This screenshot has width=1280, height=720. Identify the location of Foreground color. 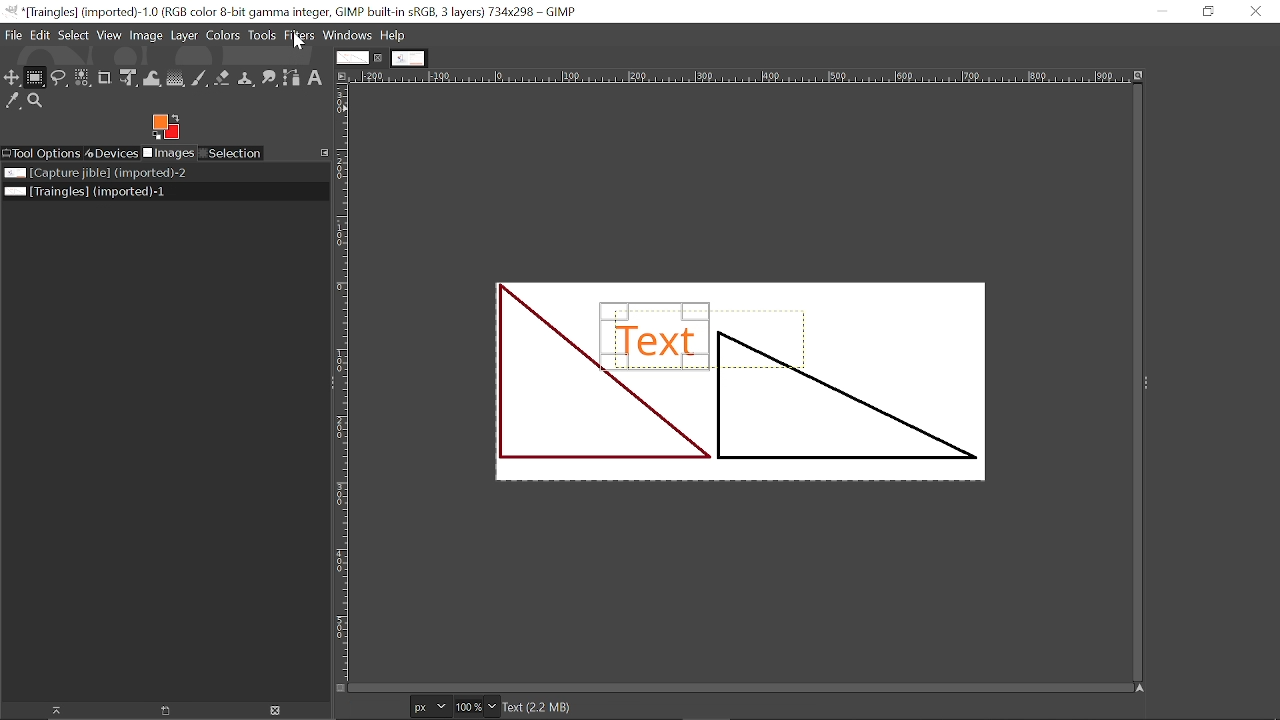
(168, 126).